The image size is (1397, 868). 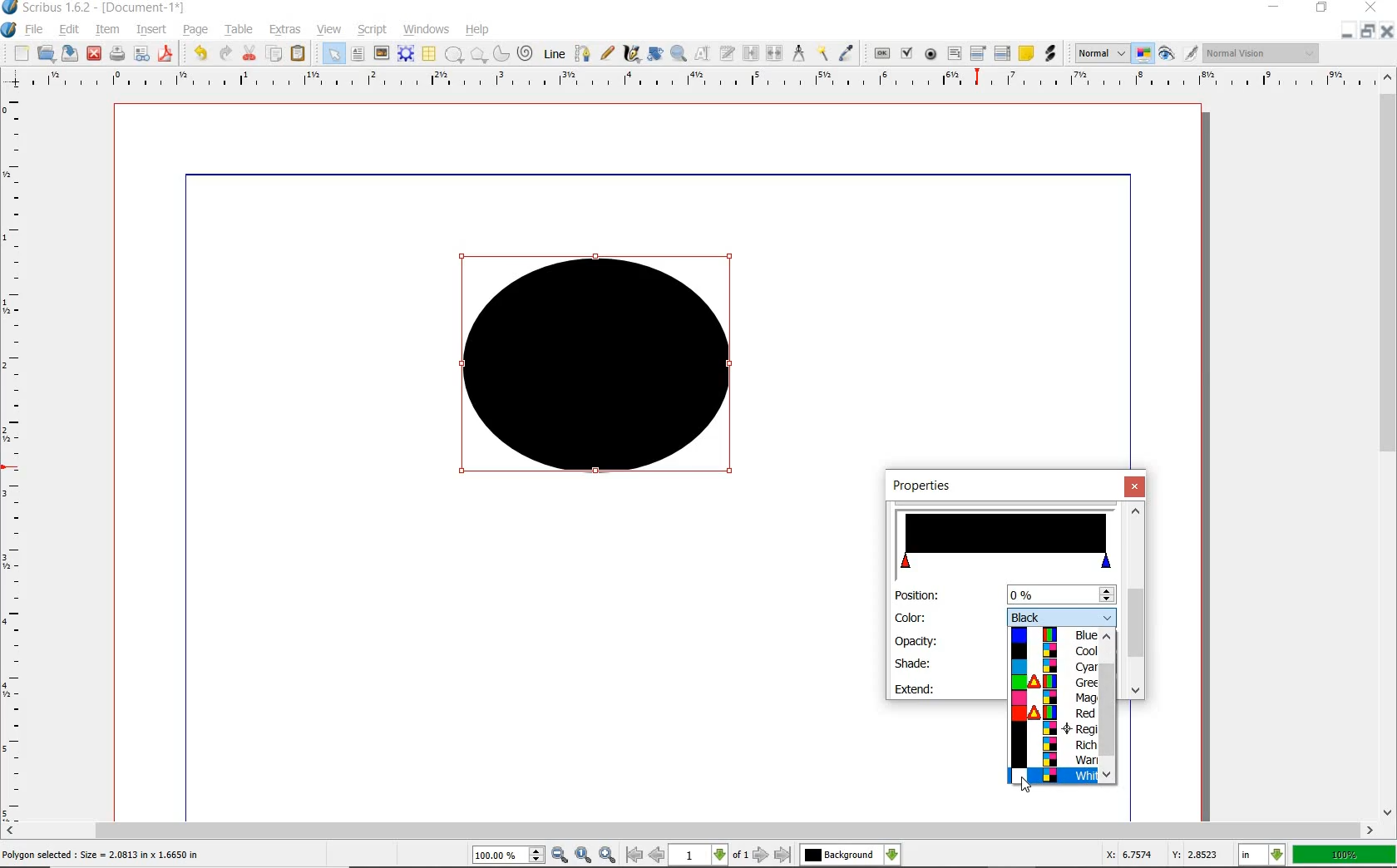 I want to click on SYSTEM NAME, so click(x=95, y=7).